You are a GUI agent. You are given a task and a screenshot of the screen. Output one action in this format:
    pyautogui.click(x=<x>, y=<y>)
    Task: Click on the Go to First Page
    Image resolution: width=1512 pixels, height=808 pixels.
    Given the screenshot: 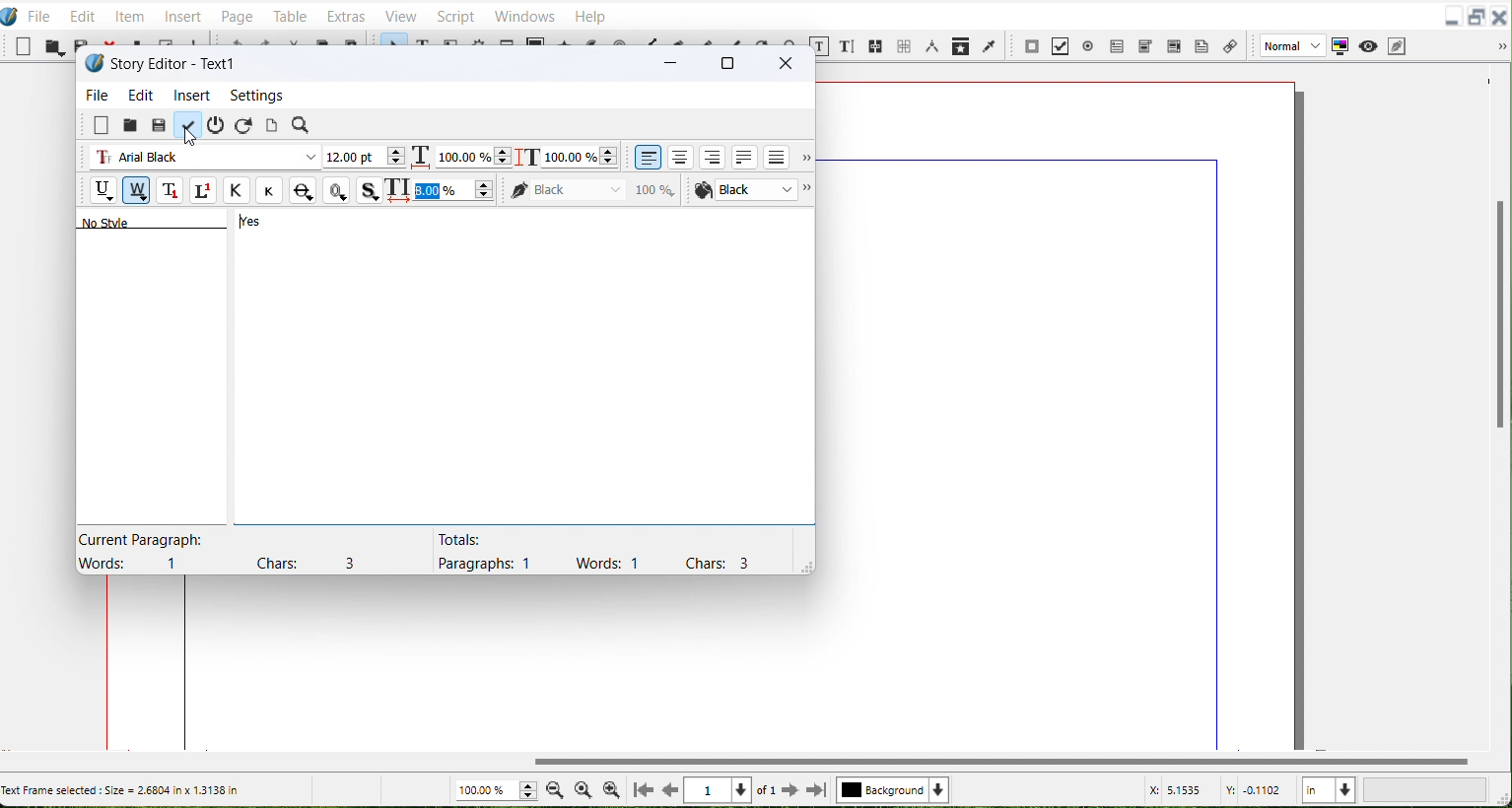 What is the action you would take?
    pyautogui.click(x=644, y=789)
    